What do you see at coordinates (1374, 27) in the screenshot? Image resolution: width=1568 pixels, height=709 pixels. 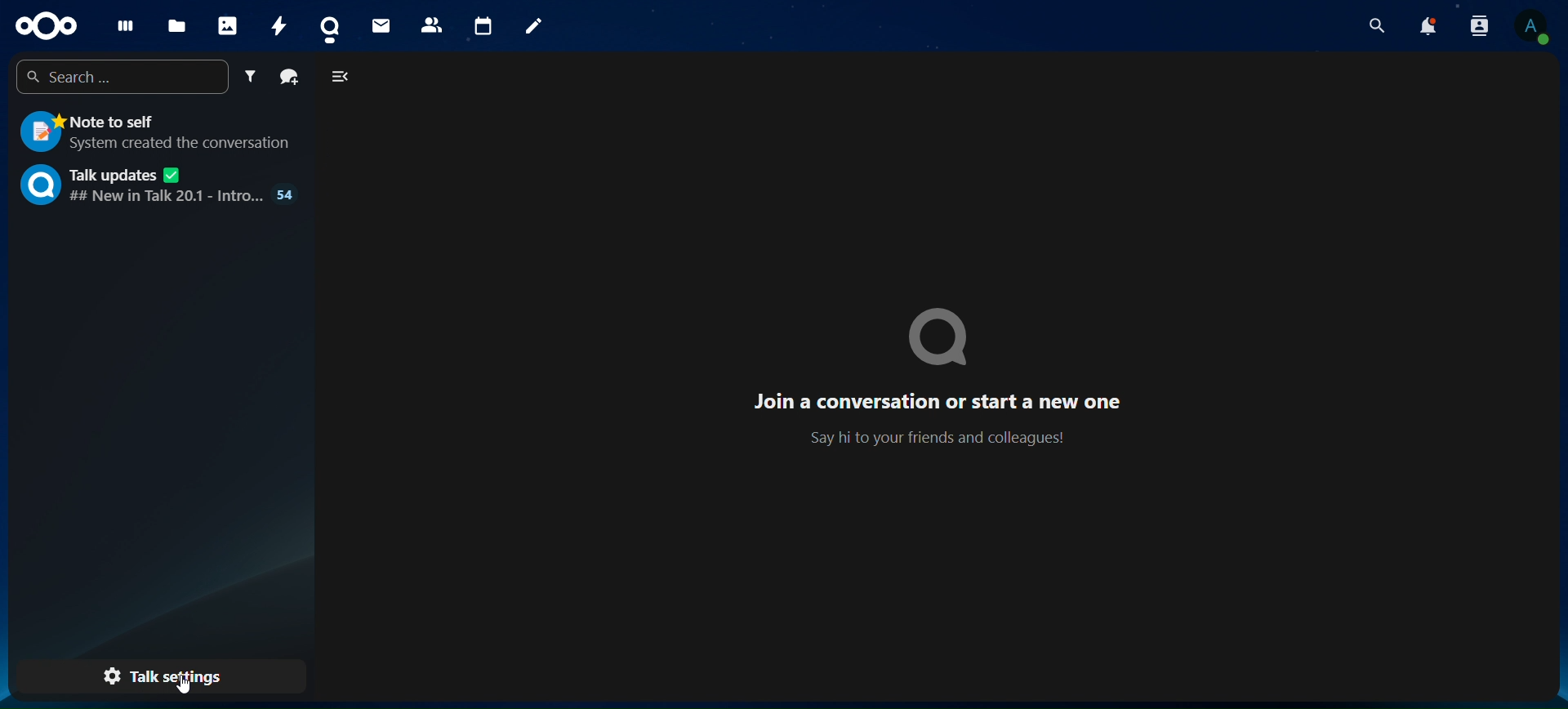 I see `search` at bounding box center [1374, 27].